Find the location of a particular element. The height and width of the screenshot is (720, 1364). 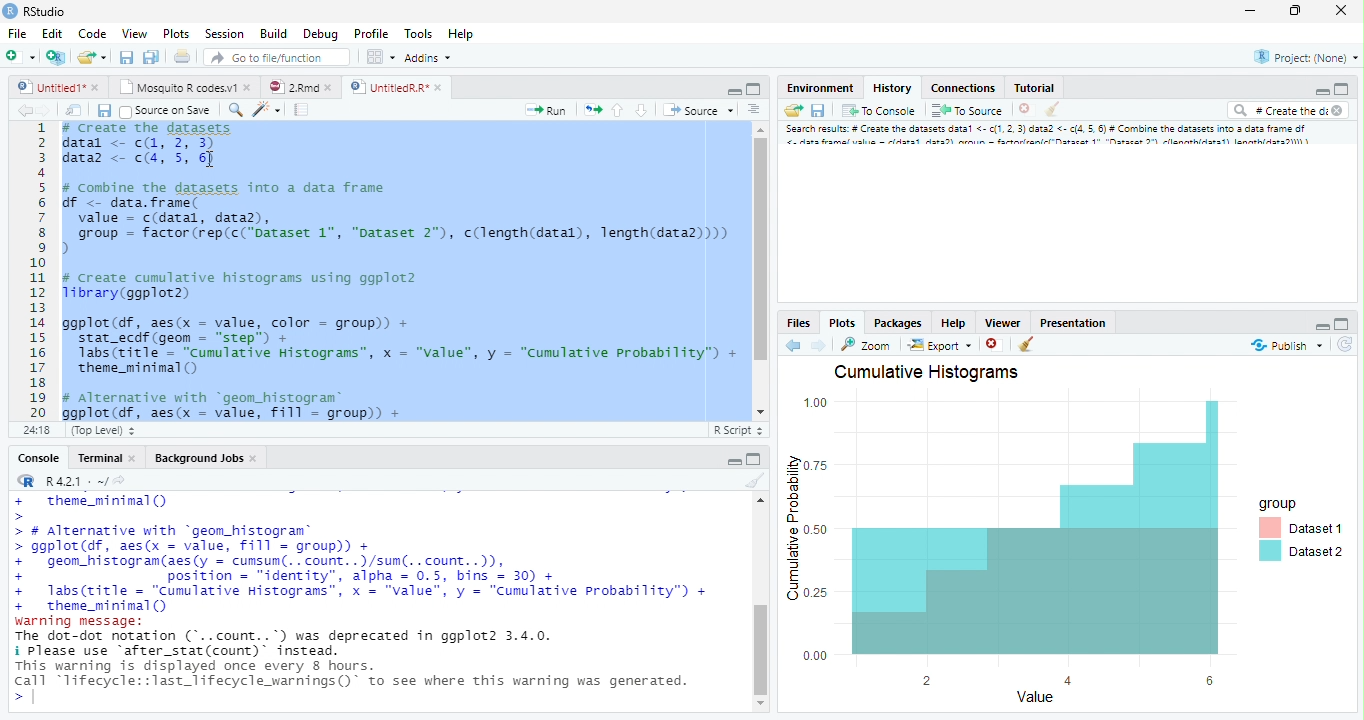

Pages is located at coordinates (300, 111).